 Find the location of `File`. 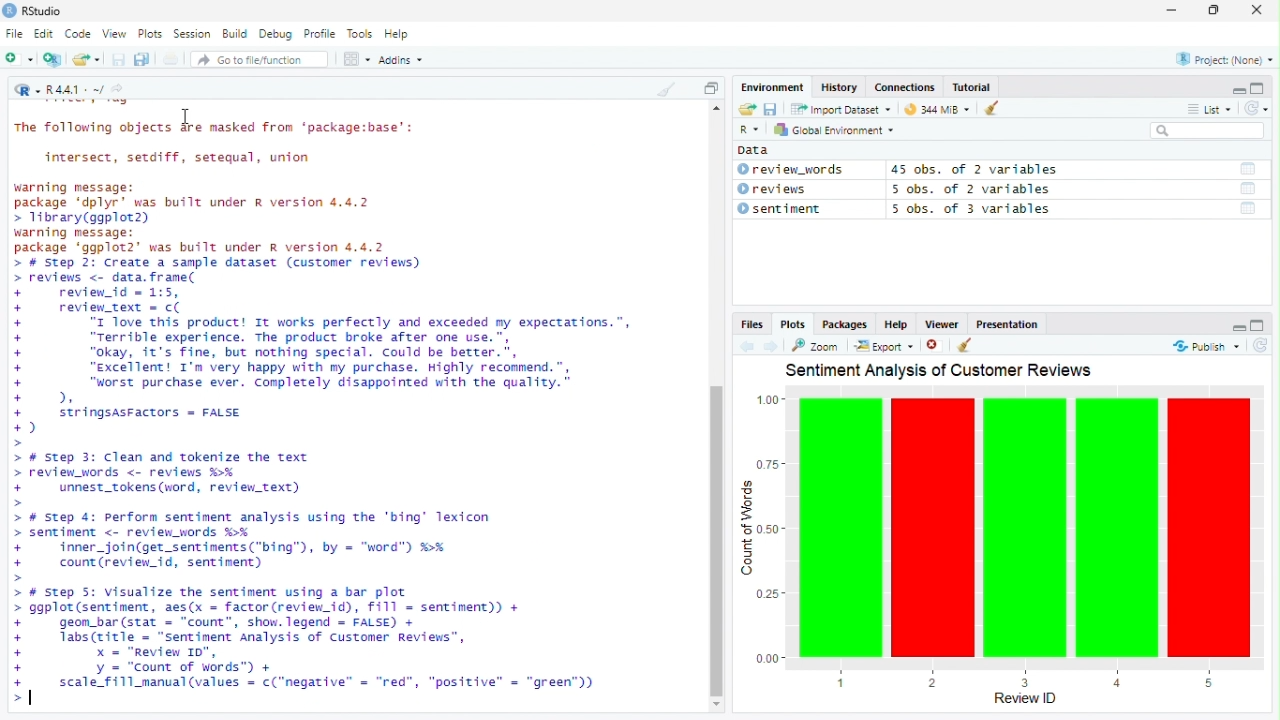

File is located at coordinates (14, 33).